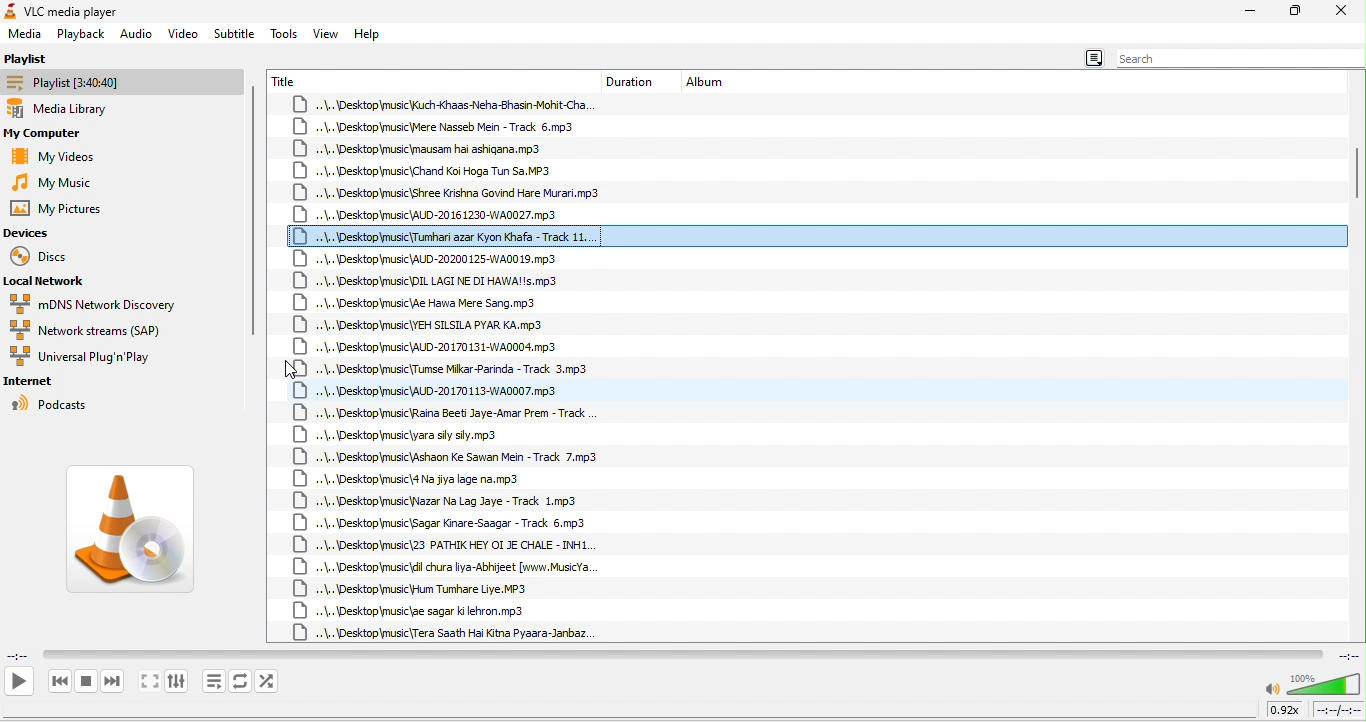 The width and height of the screenshot is (1366, 722). What do you see at coordinates (1287, 709) in the screenshot?
I see `0.92x` at bounding box center [1287, 709].